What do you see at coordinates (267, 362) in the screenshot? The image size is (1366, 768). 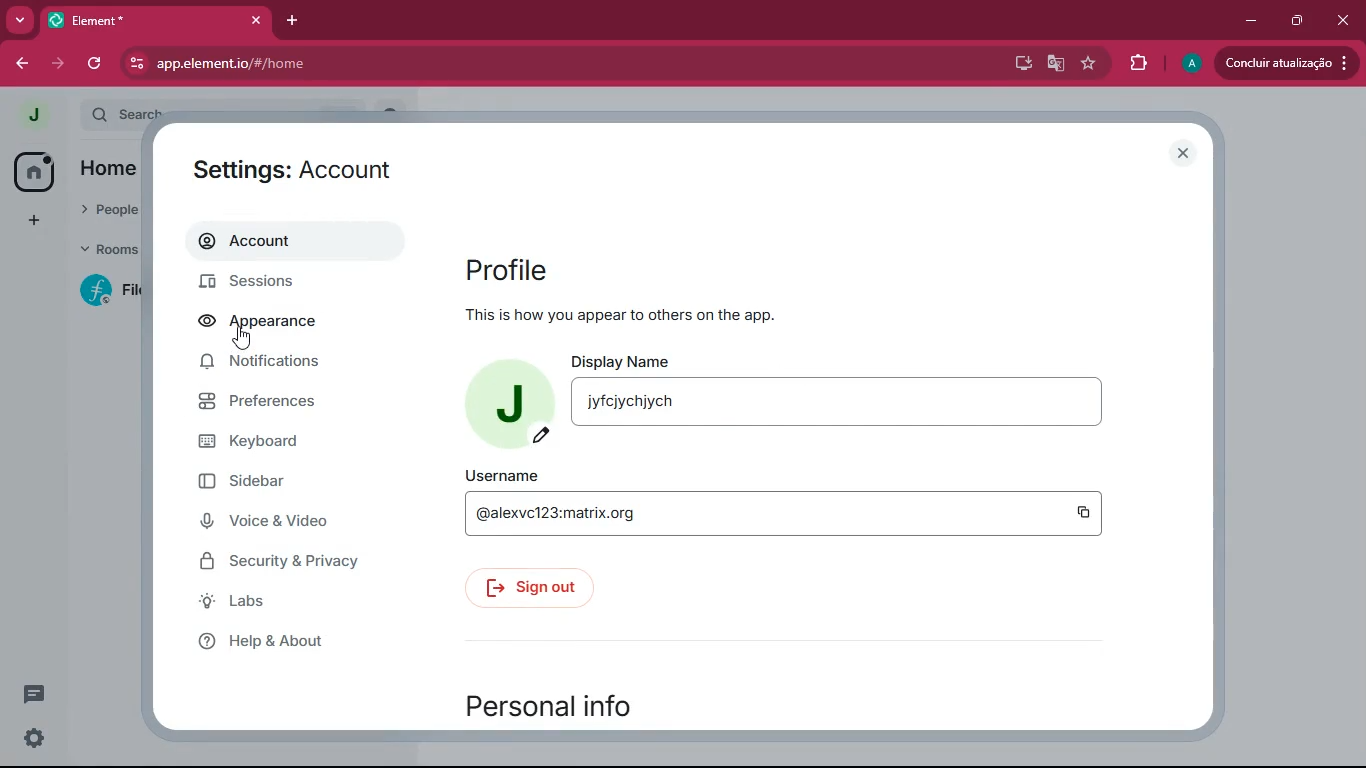 I see `notifications` at bounding box center [267, 362].